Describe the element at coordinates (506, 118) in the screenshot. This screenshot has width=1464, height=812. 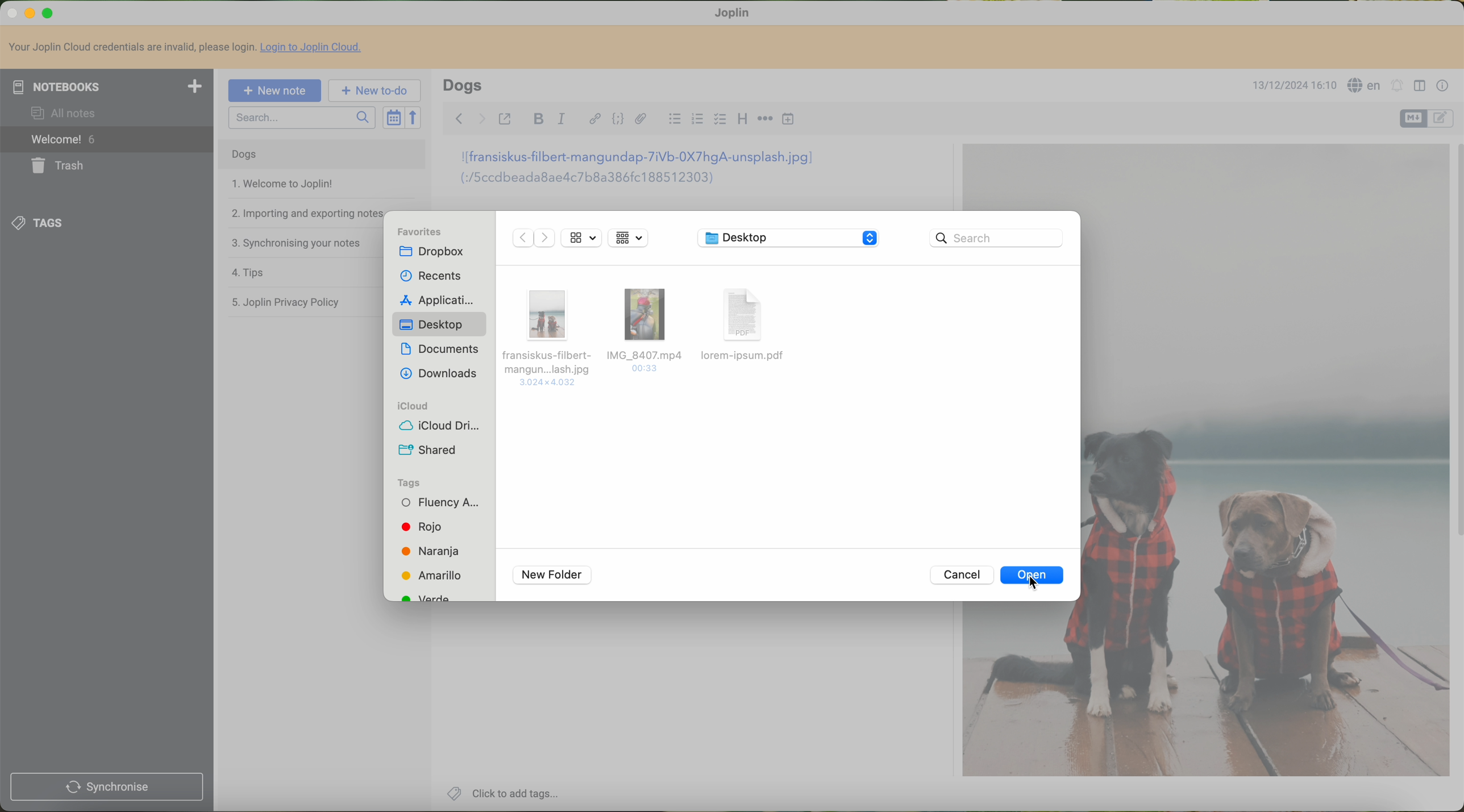
I see `toggle external editing` at that location.